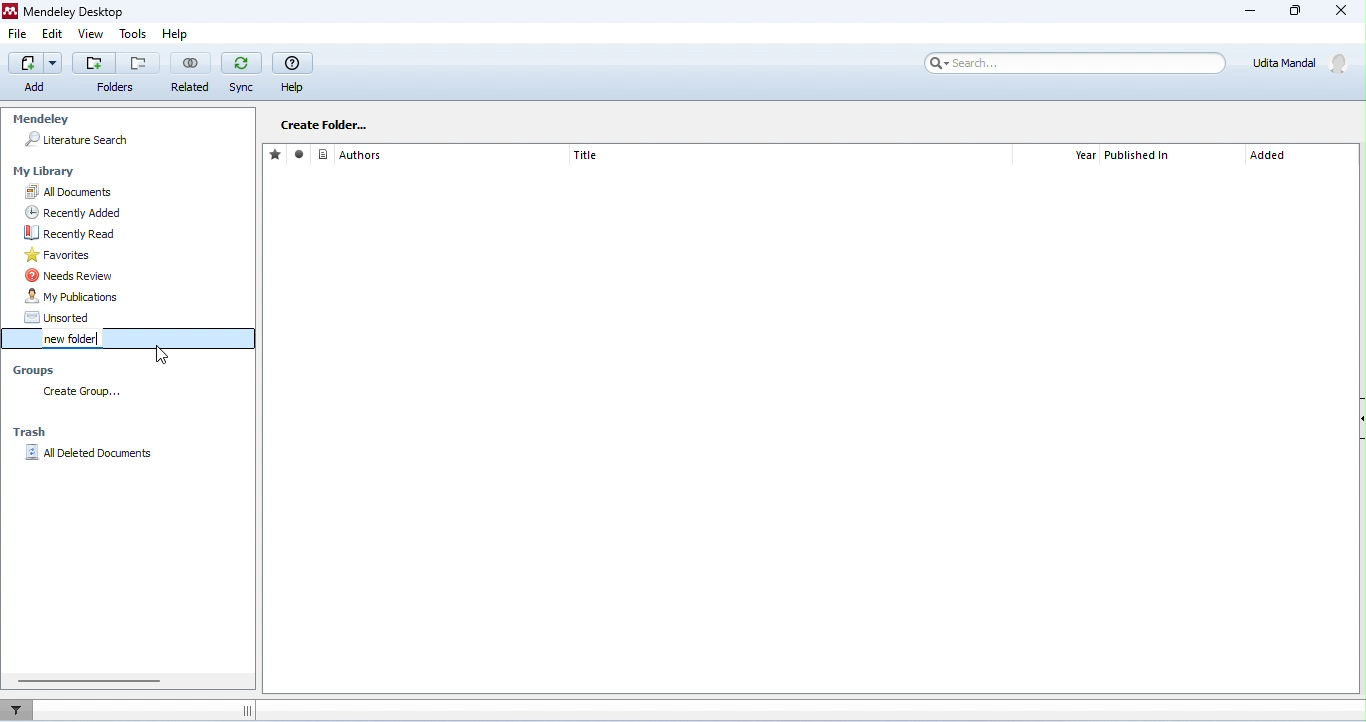 The width and height of the screenshot is (1366, 722). What do you see at coordinates (134, 34) in the screenshot?
I see `tools` at bounding box center [134, 34].